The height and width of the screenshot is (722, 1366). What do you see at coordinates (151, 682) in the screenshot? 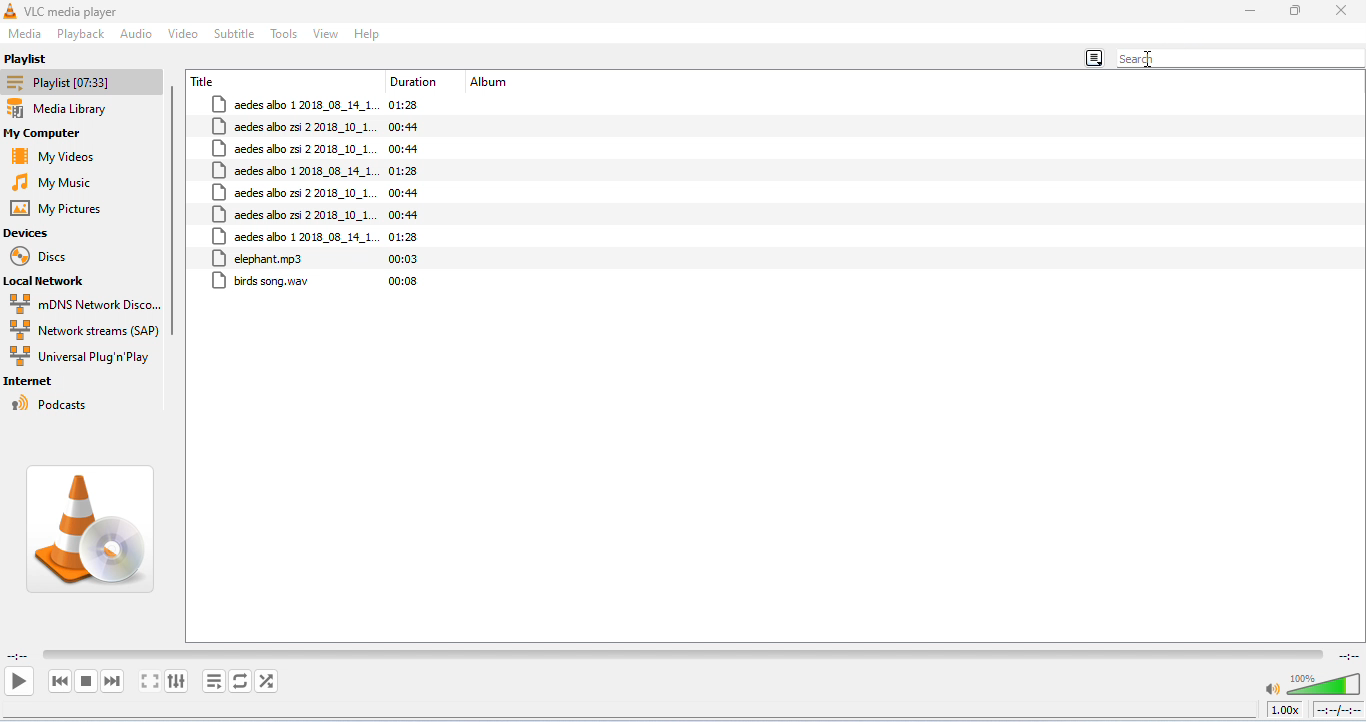
I see `toggle full screen ` at bounding box center [151, 682].